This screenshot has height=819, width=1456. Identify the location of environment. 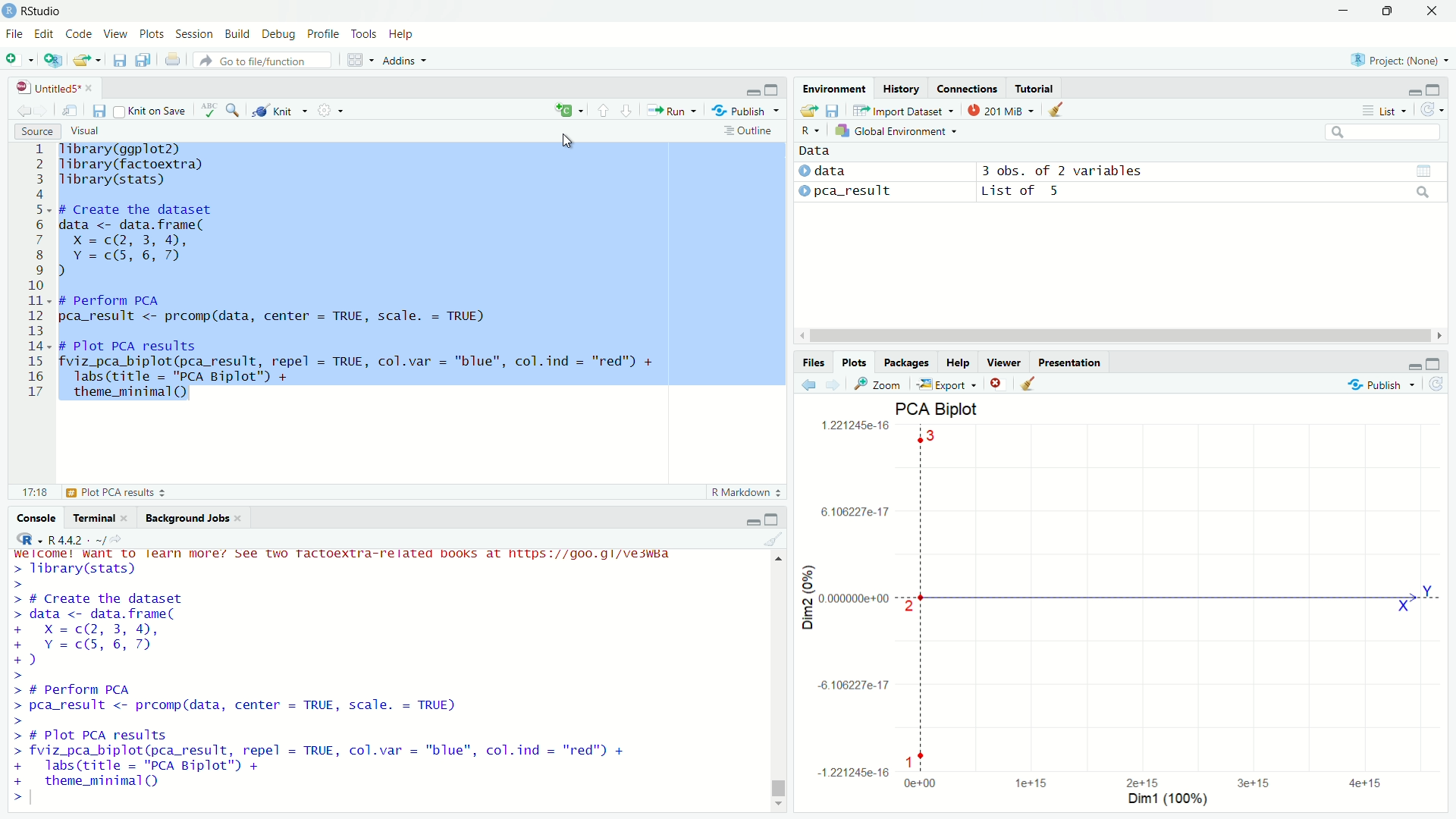
(834, 87).